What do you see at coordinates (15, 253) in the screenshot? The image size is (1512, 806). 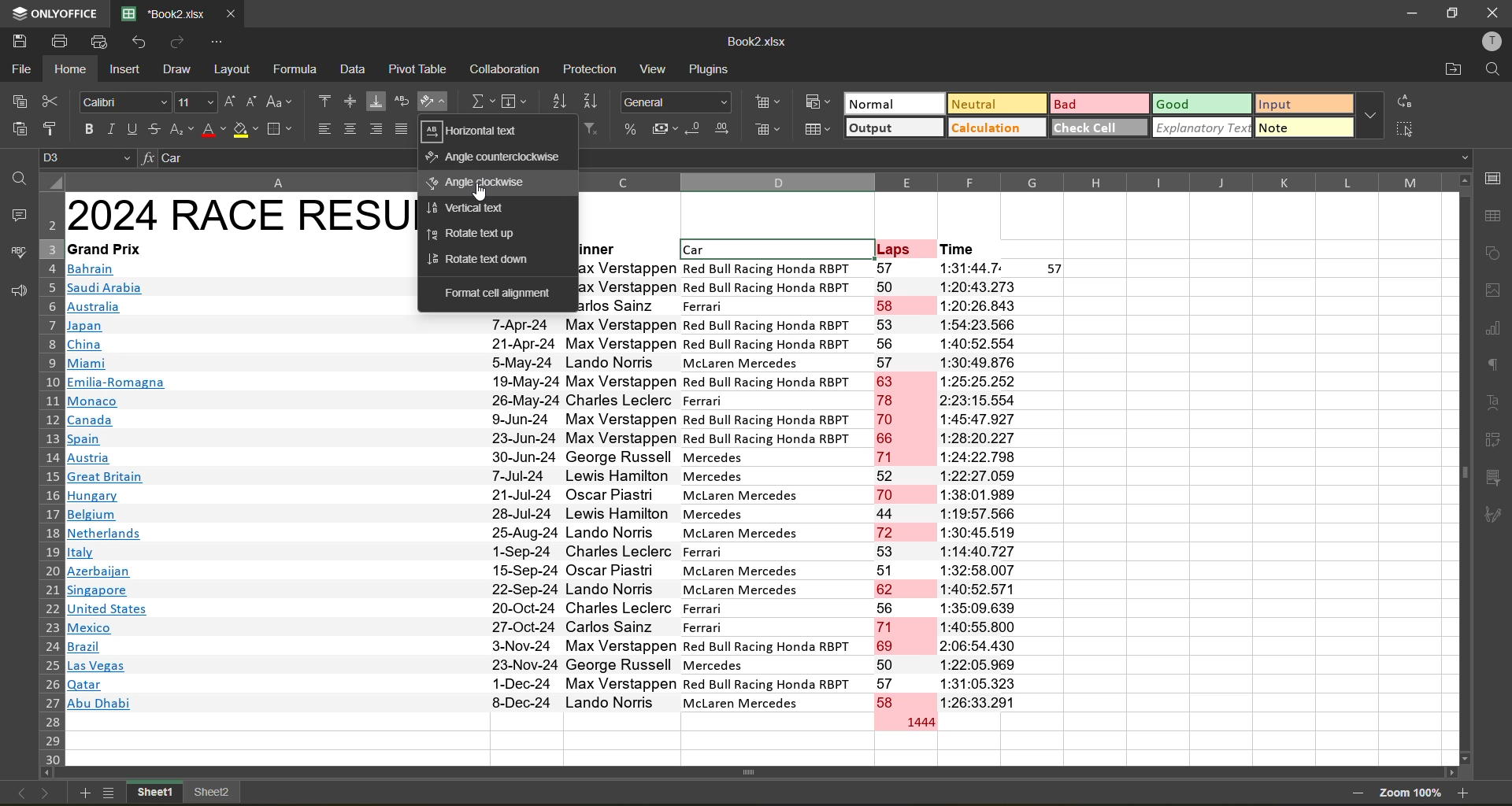 I see `spellcheck` at bounding box center [15, 253].